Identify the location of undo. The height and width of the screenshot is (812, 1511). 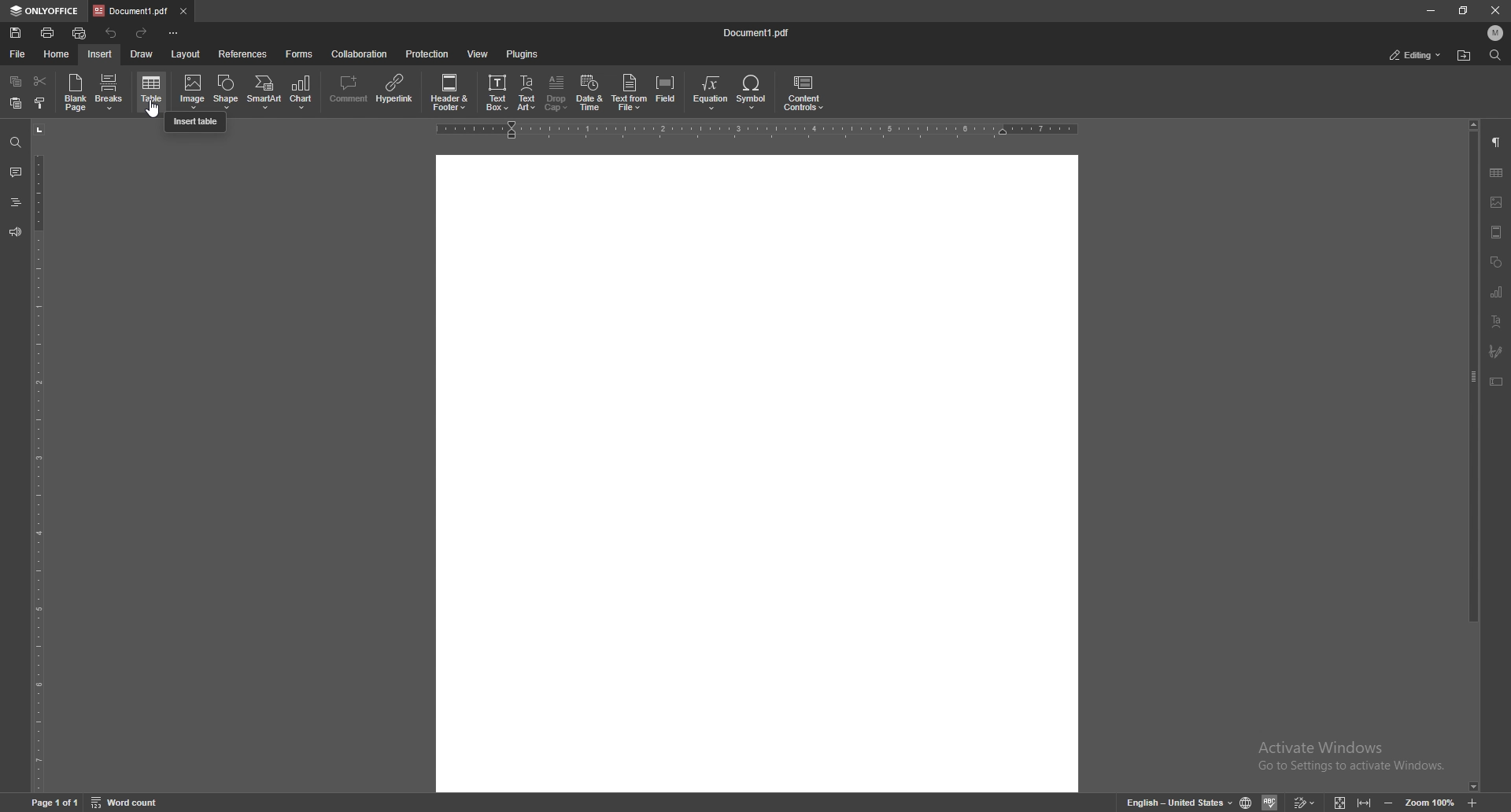
(113, 32).